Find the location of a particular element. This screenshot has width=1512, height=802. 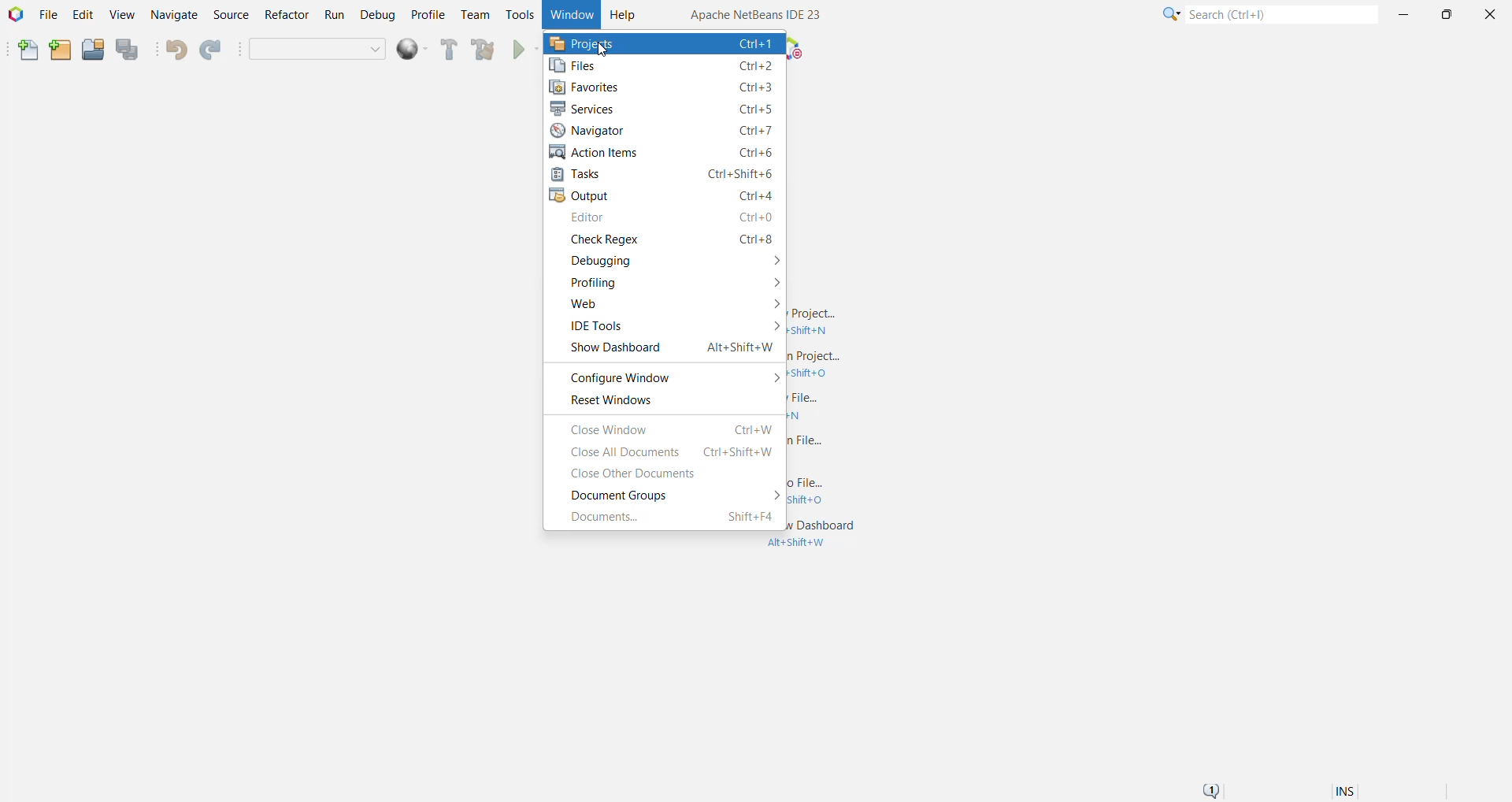

Team is located at coordinates (475, 16).